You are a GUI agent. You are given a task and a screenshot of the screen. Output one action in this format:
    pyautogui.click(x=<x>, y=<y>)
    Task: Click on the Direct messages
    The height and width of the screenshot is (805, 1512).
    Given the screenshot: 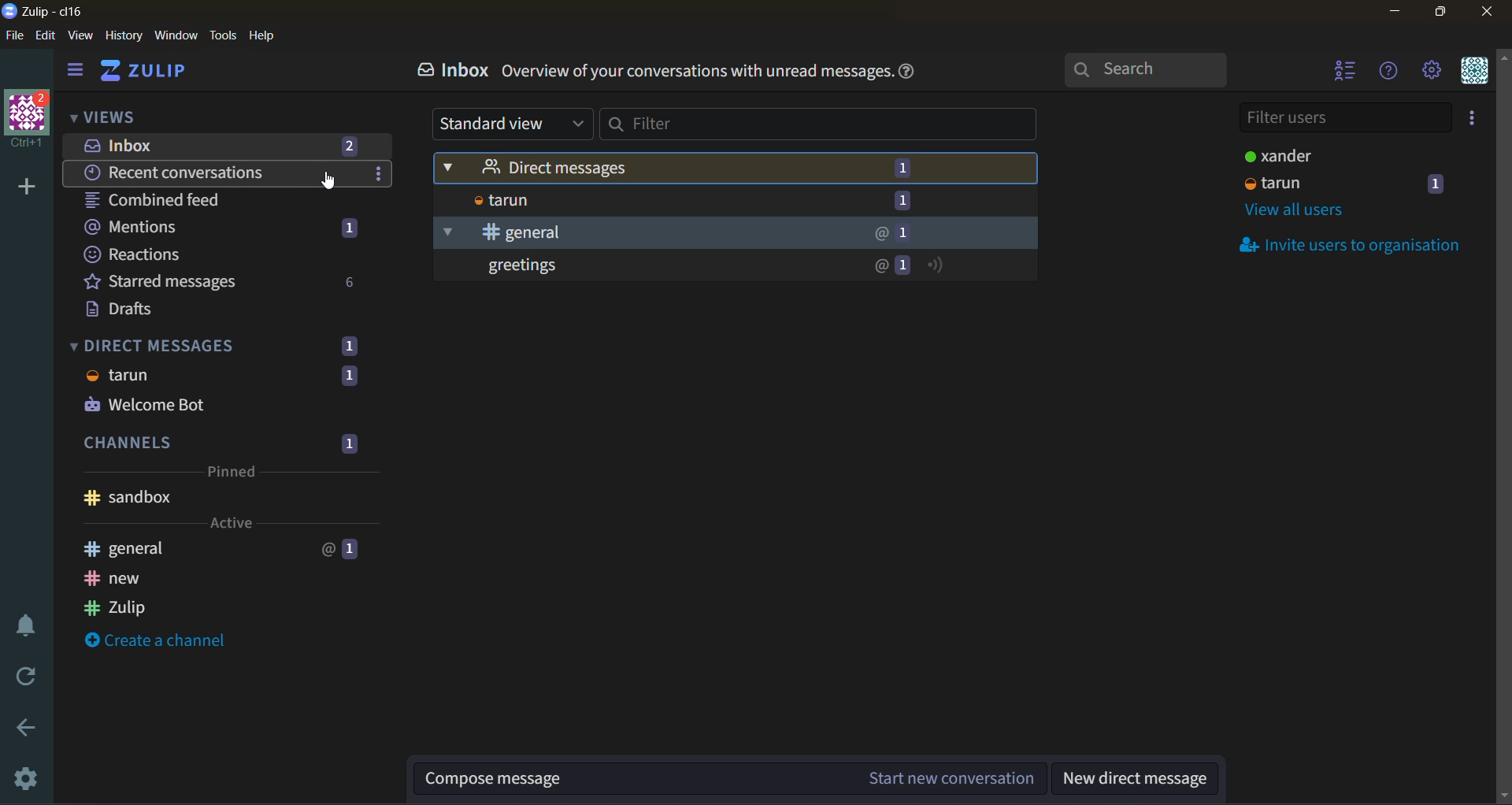 What is the action you would take?
    pyautogui.click(x=650, y=169)
    